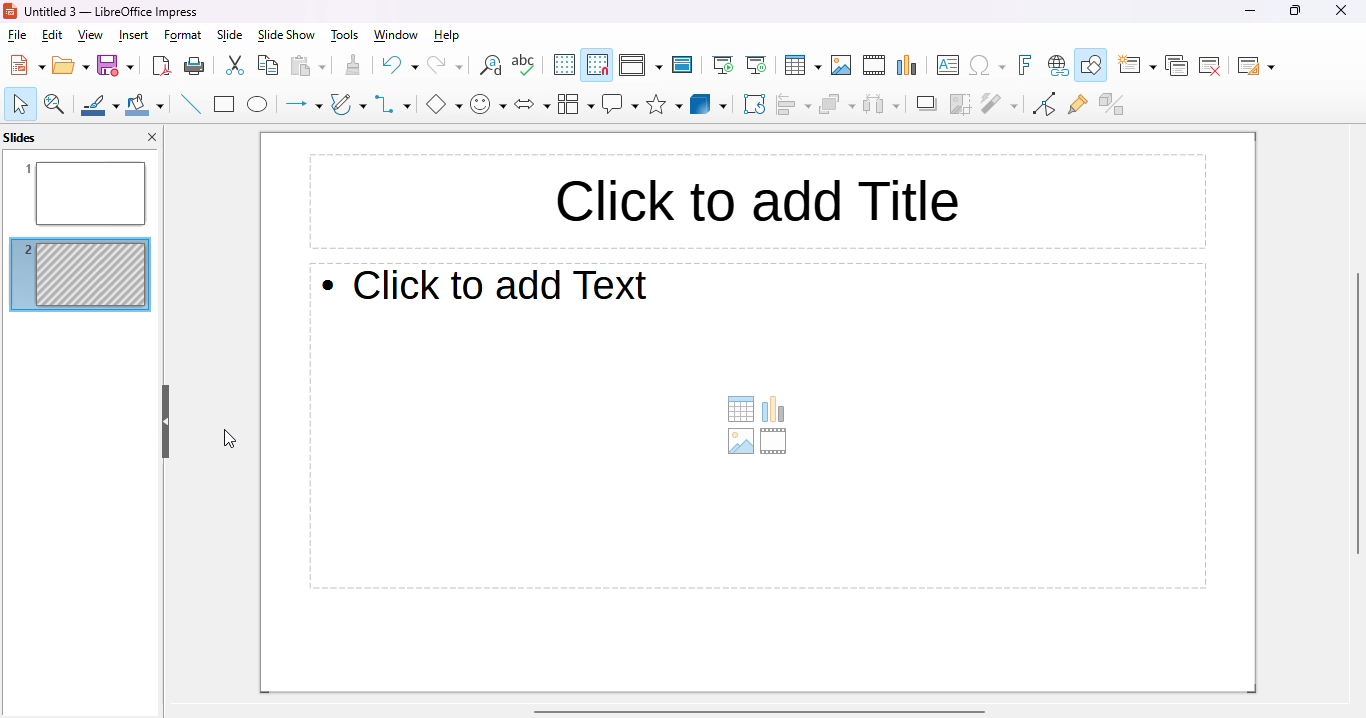 The width and height of the screenshot is (1366, 718). I want to click on table, so click(802, 65).